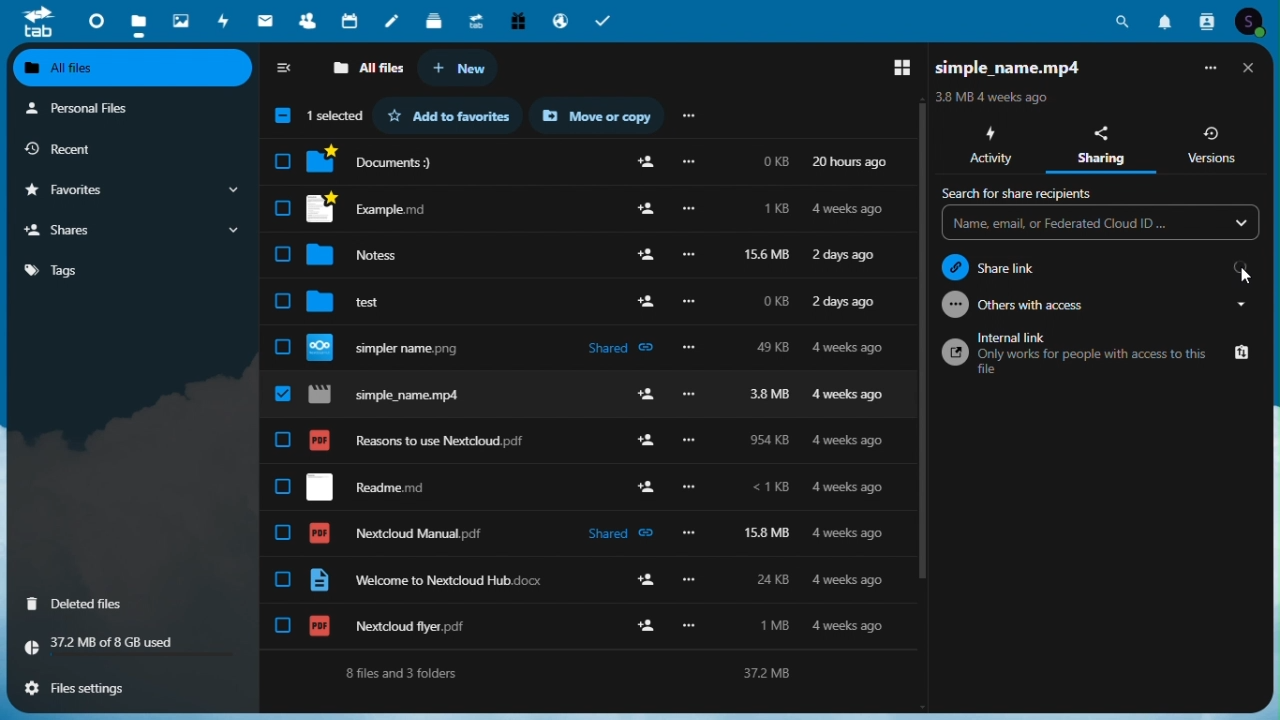  I want to click on more options, so click(687, 117).